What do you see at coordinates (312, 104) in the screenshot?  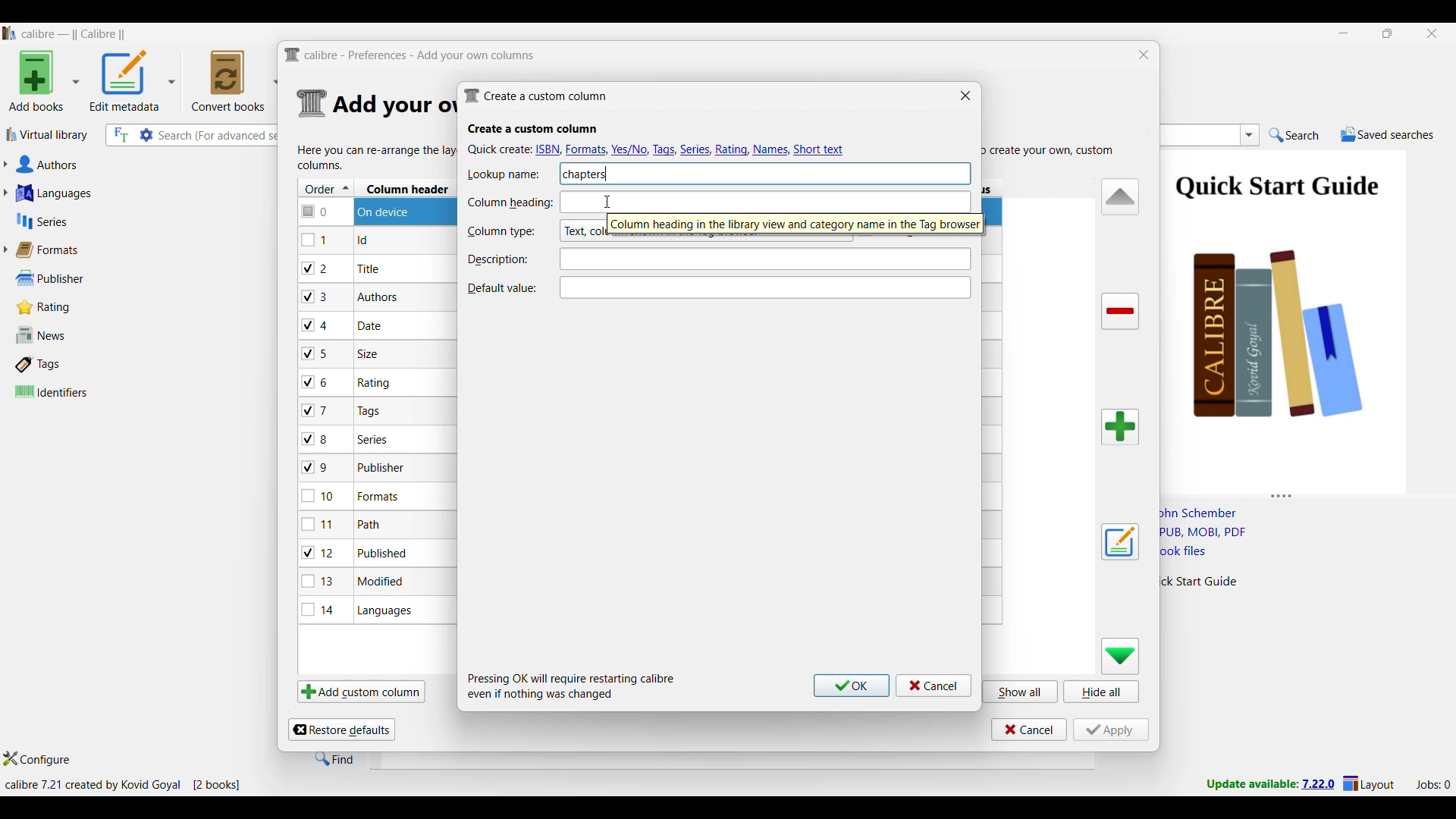 I see `Logo of current settings` at bounding box center [312, 104].